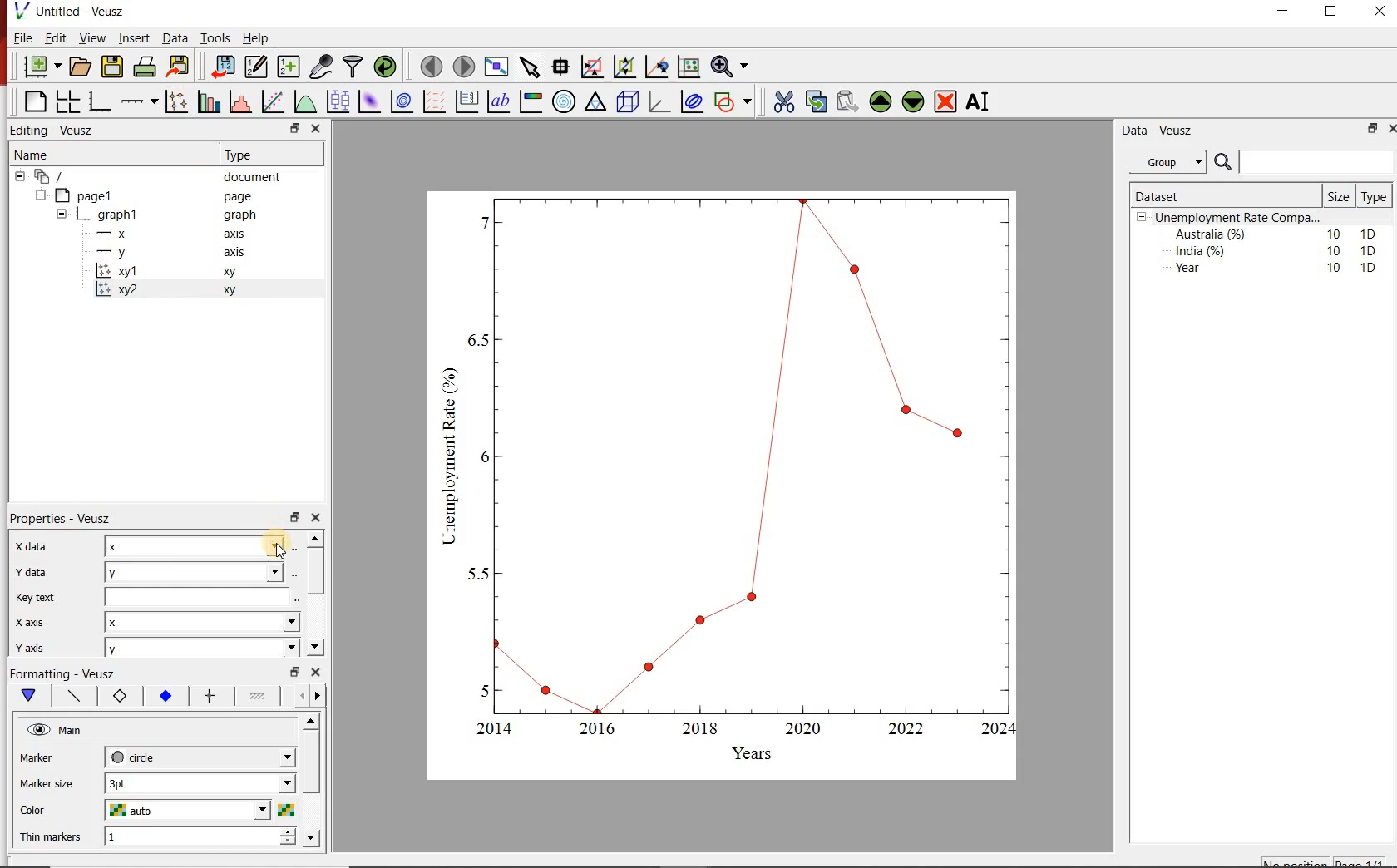  I want to click on Type, so click(260, 155).